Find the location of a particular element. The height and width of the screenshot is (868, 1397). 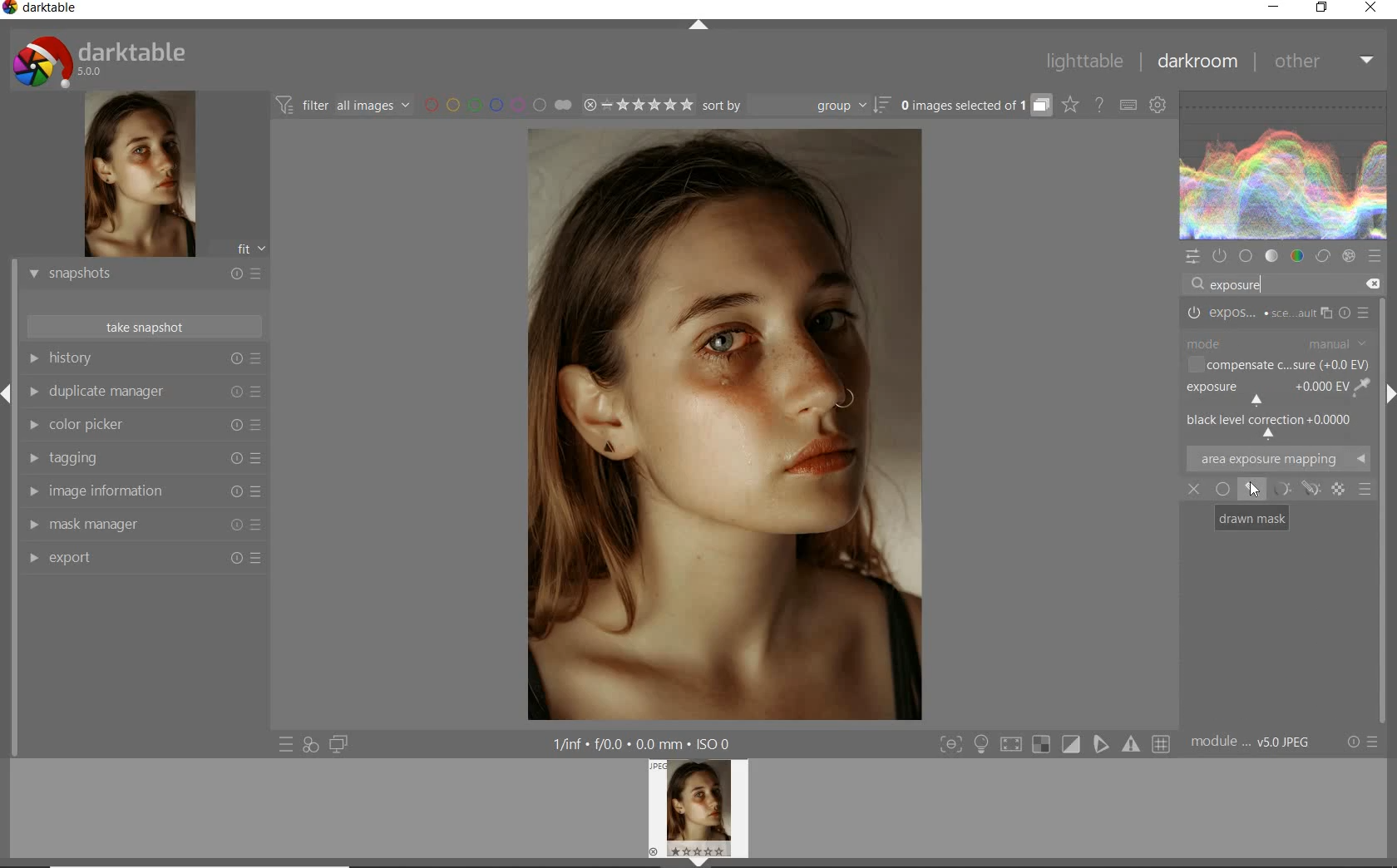

correct is located at coordinates (1324, 254).